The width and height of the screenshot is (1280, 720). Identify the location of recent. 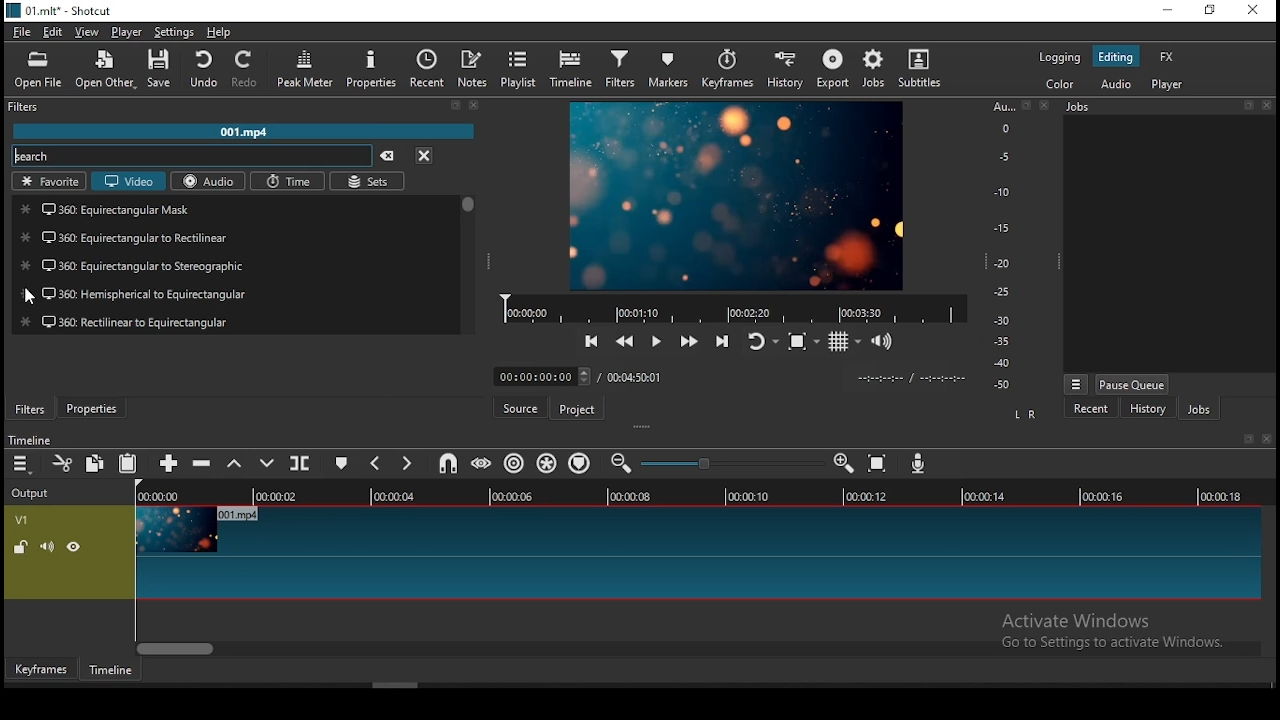
(1085, 410).